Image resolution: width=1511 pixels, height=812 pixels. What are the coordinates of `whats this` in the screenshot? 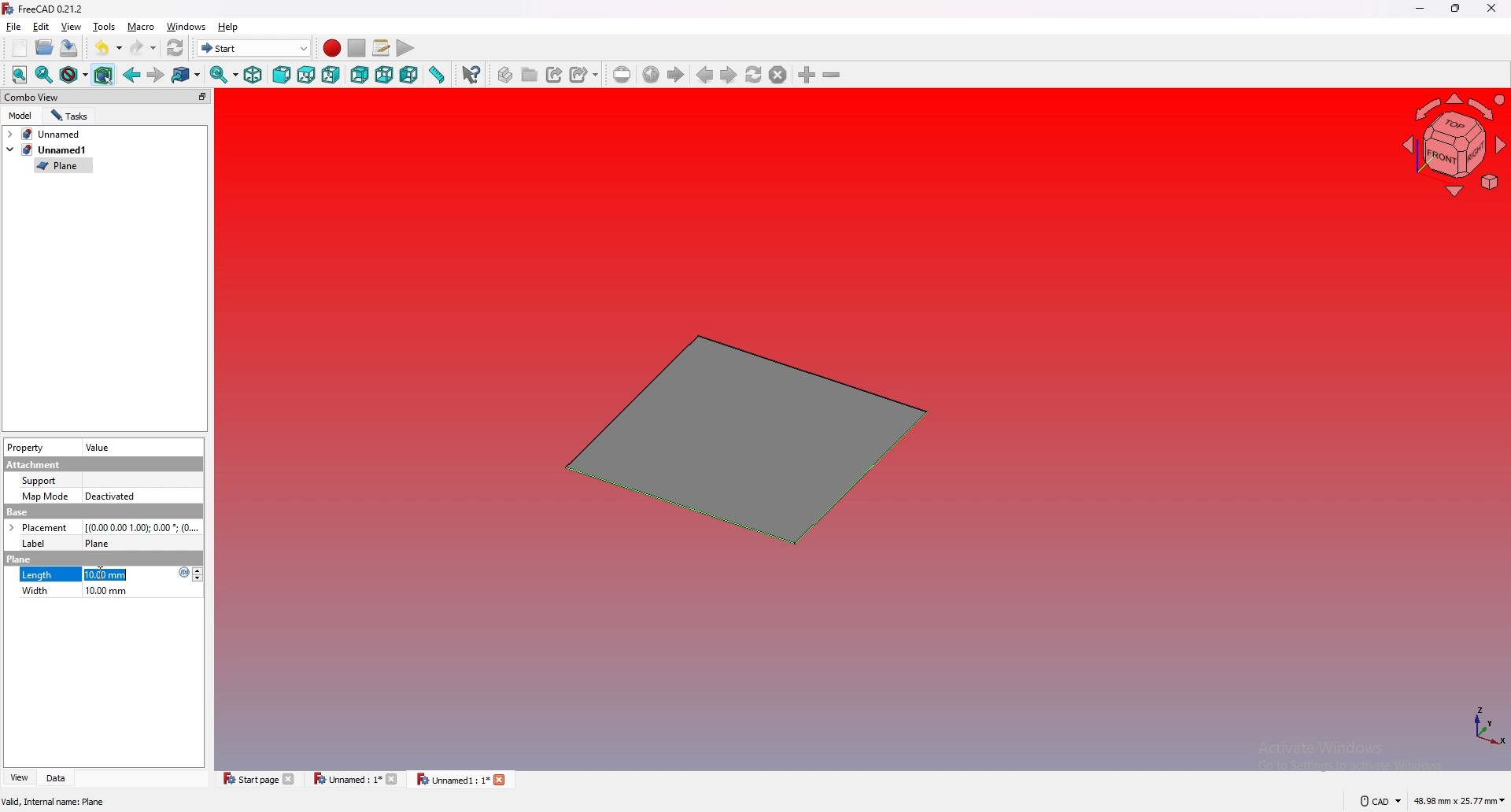 It's located at (471, 75).